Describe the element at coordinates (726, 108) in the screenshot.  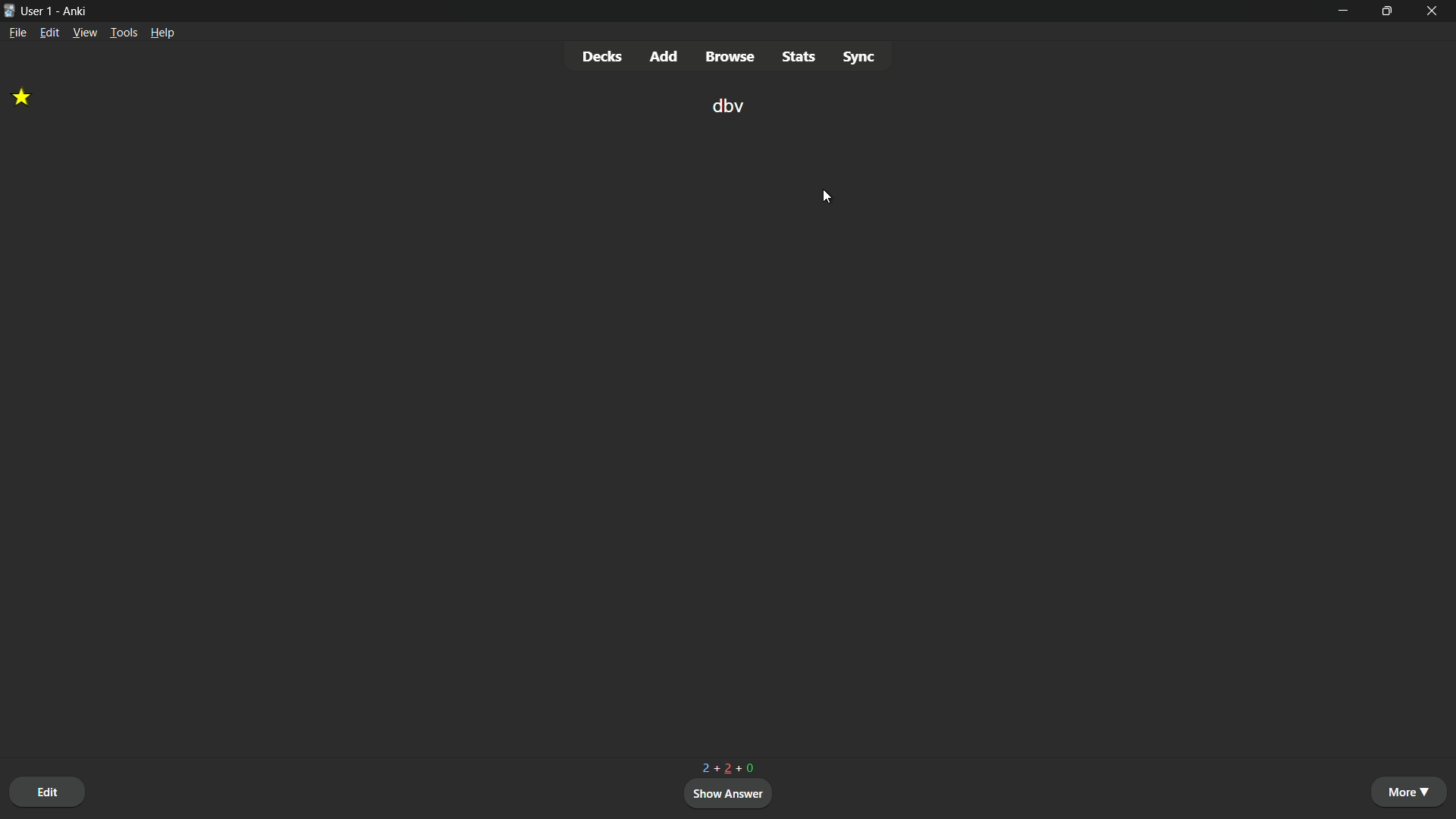
I see `dbv` at that location.